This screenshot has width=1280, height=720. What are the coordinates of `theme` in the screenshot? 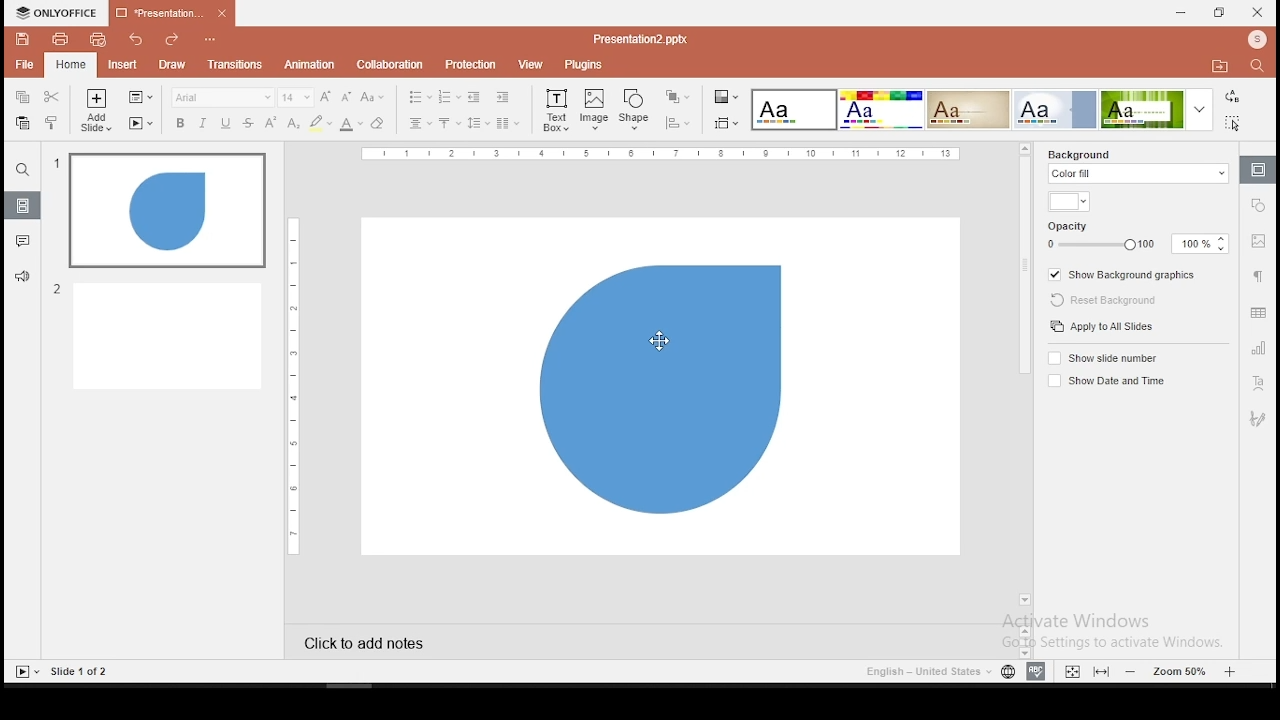 It's located at (792, 110).